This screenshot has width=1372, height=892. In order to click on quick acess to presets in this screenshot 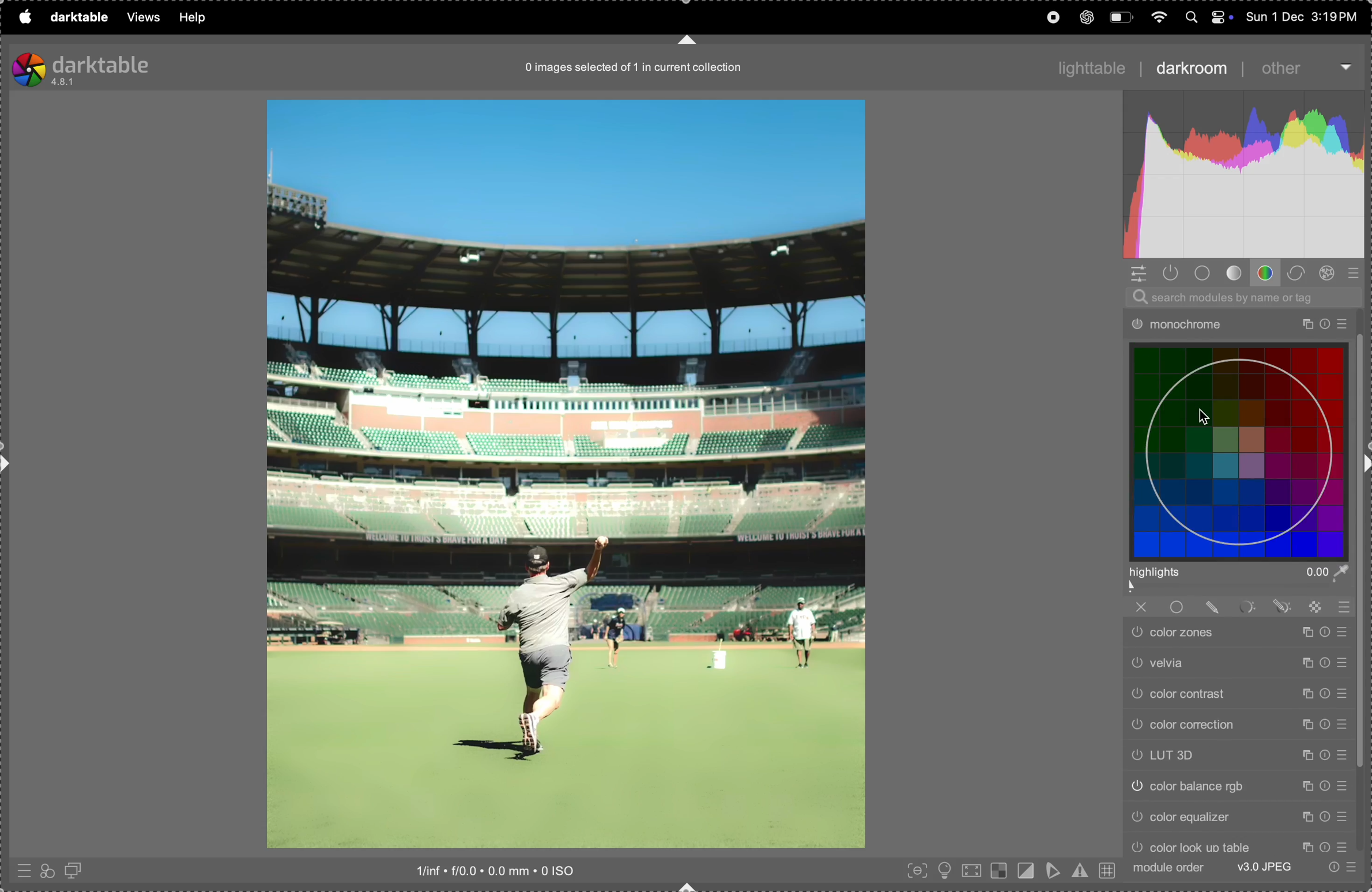, I will do `click(22, 868)`.